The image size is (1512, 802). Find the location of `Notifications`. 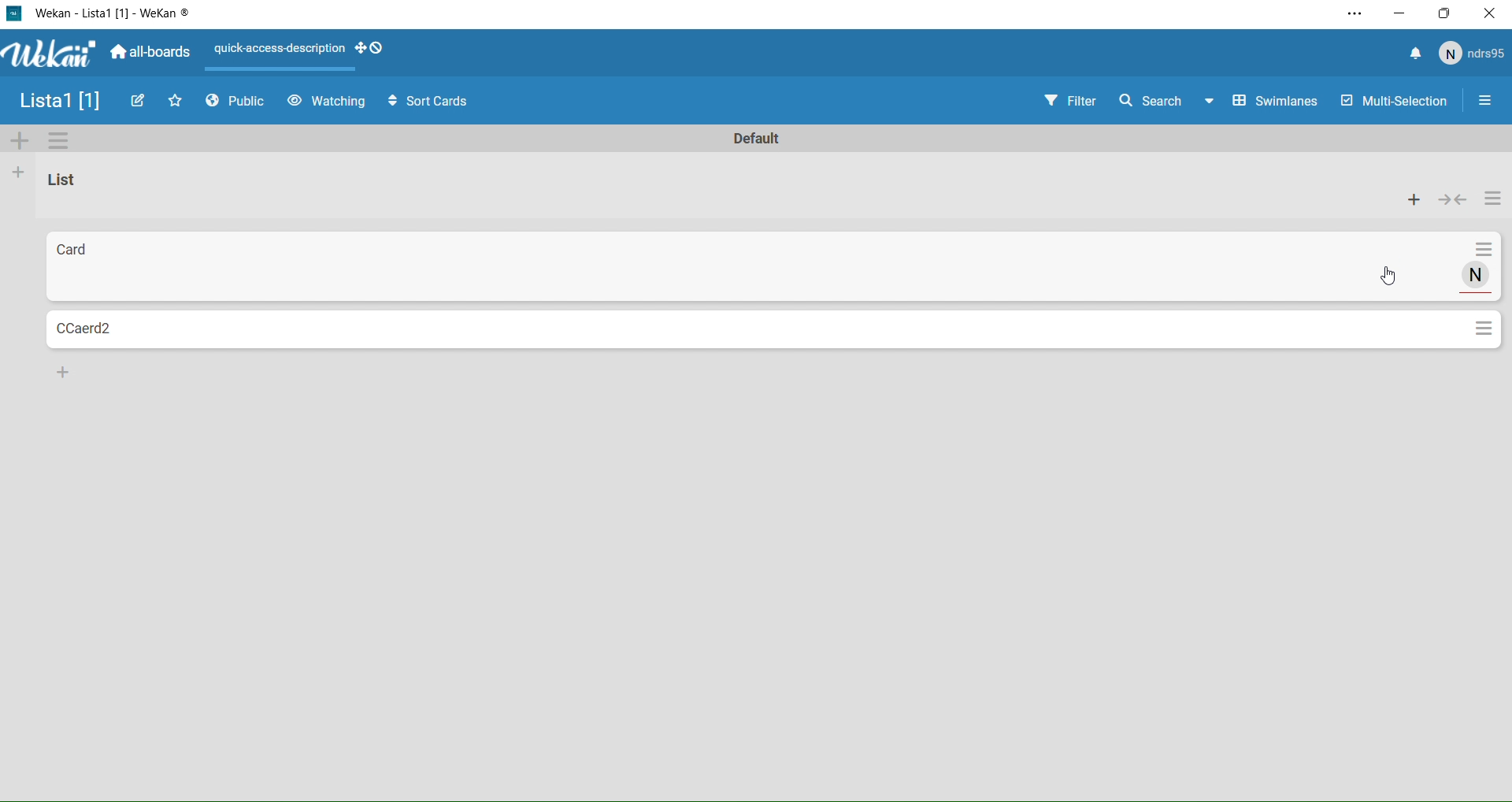

Notifications is located at coordinates (1415, 55).